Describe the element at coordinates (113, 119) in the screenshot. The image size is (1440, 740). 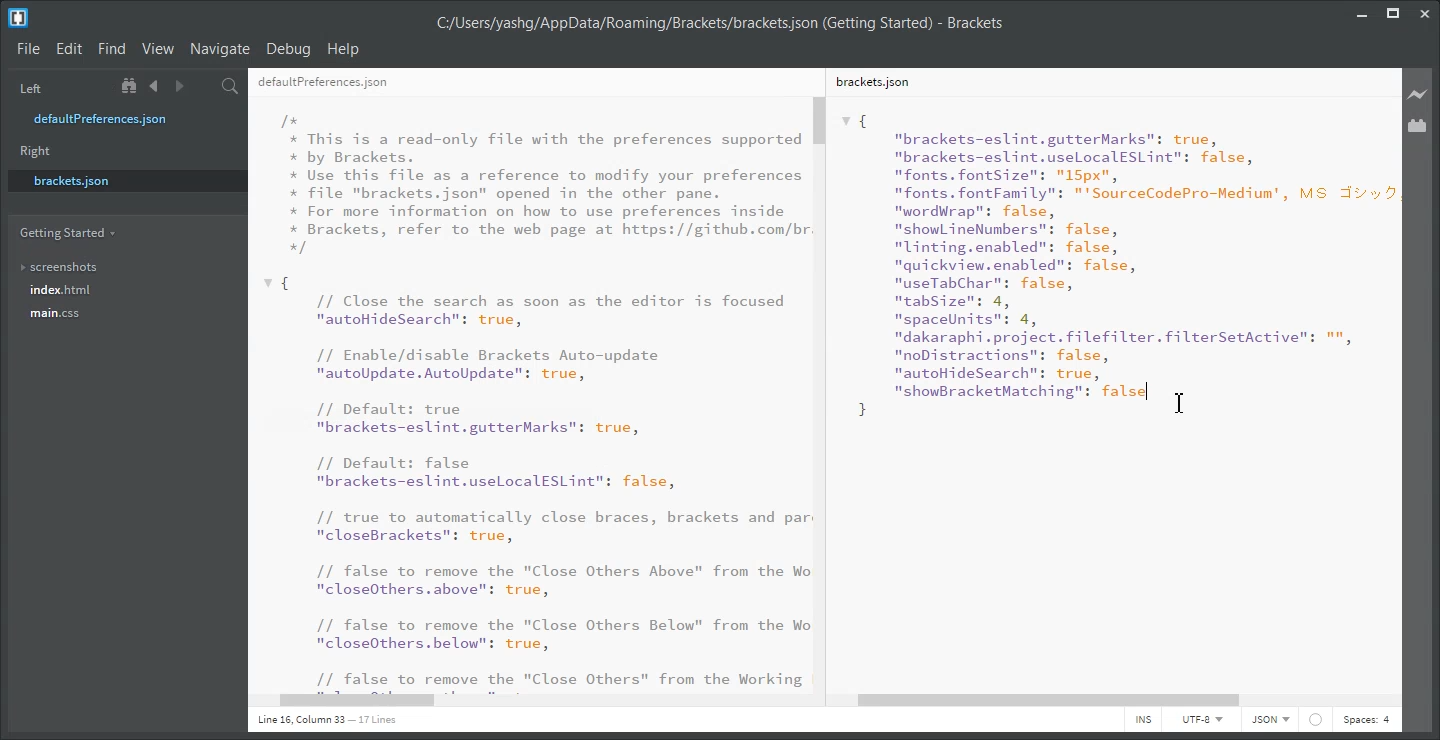
I see `defaultPreferences.json` at that location.